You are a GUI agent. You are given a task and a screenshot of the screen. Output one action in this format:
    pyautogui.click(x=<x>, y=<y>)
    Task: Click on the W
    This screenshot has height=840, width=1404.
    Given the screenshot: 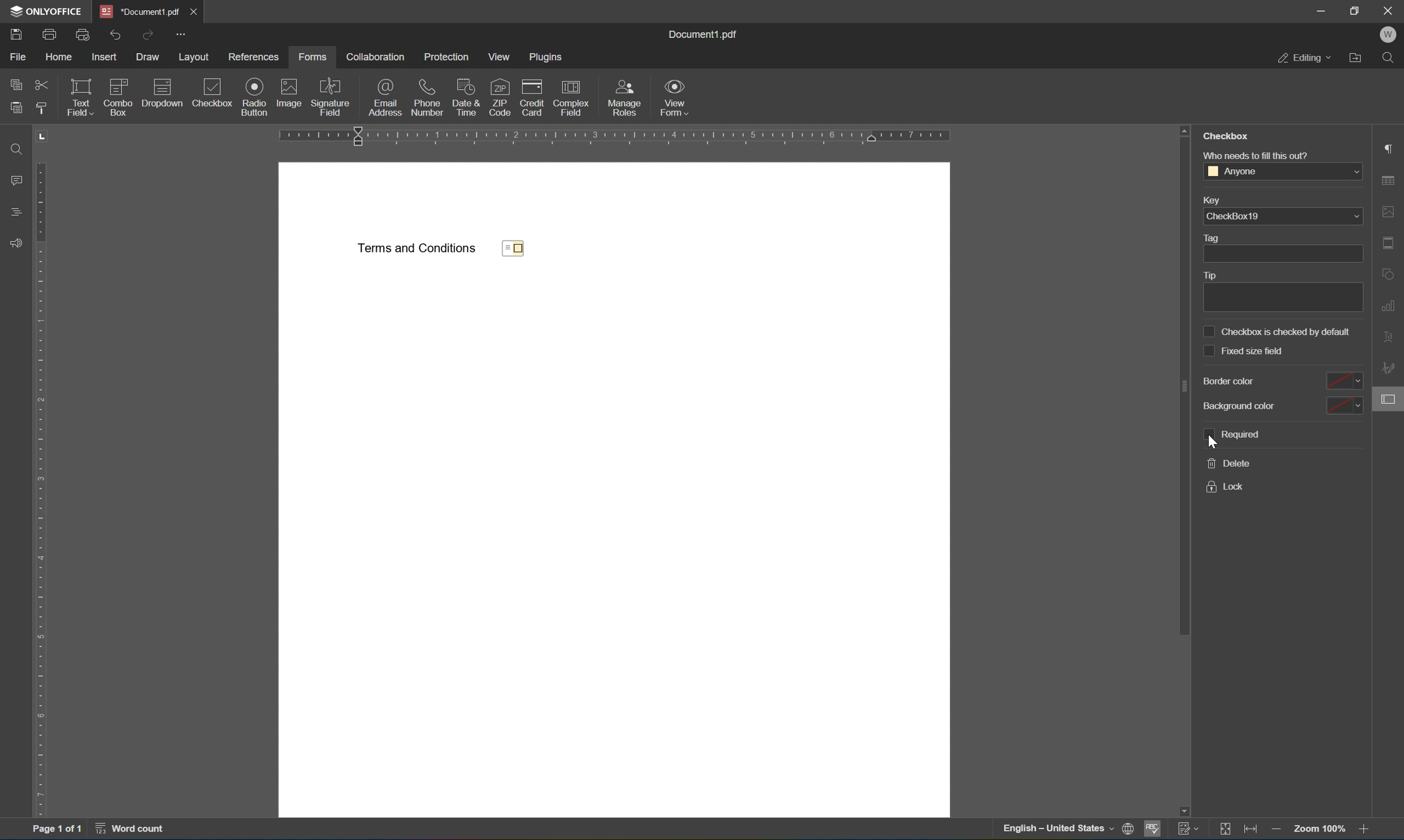 What is the action you would take?
    pyautogui.click(x=1392, y=34)
    